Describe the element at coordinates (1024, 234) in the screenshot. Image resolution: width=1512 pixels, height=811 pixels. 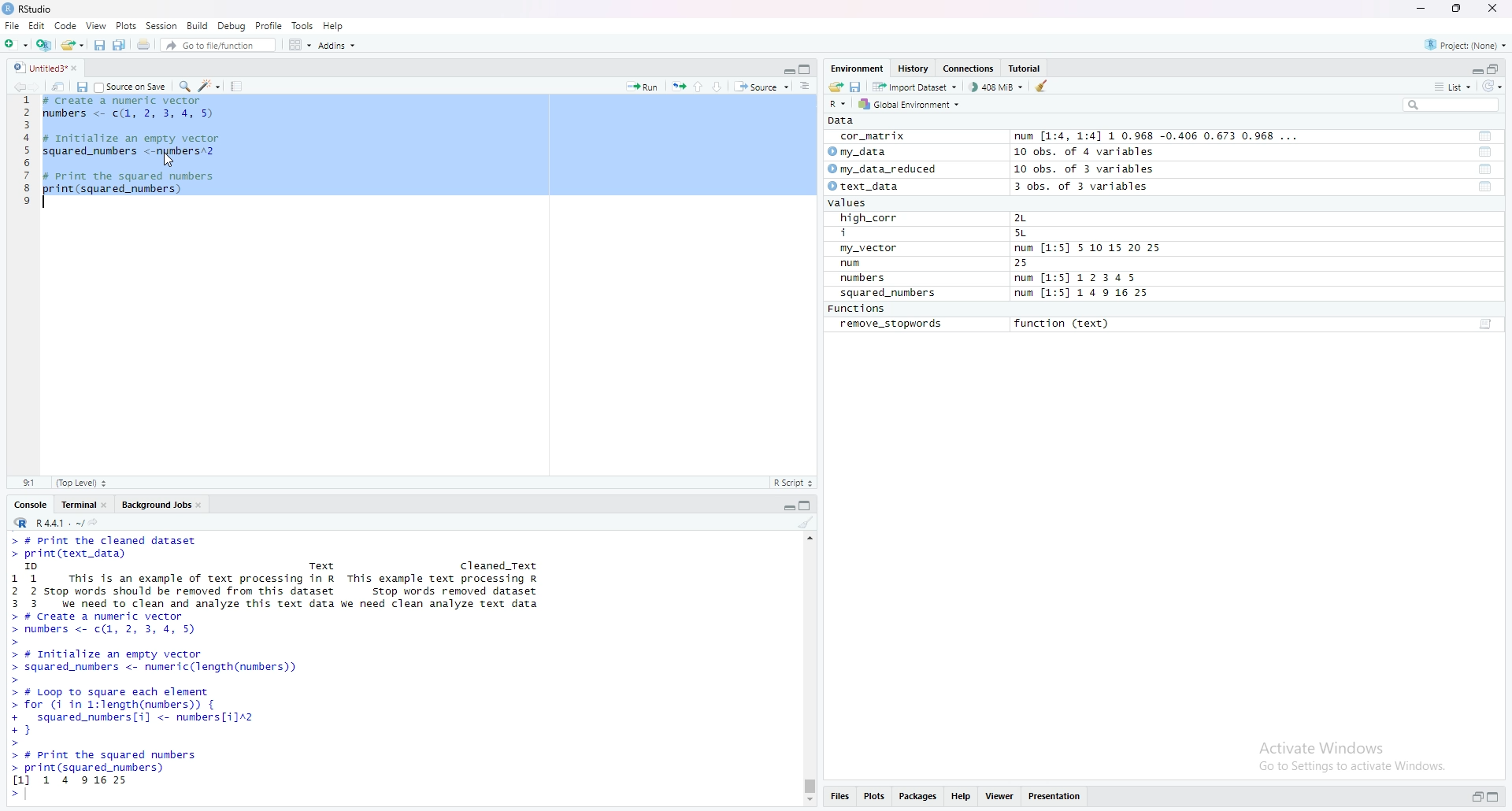
I see `5L` at that location.